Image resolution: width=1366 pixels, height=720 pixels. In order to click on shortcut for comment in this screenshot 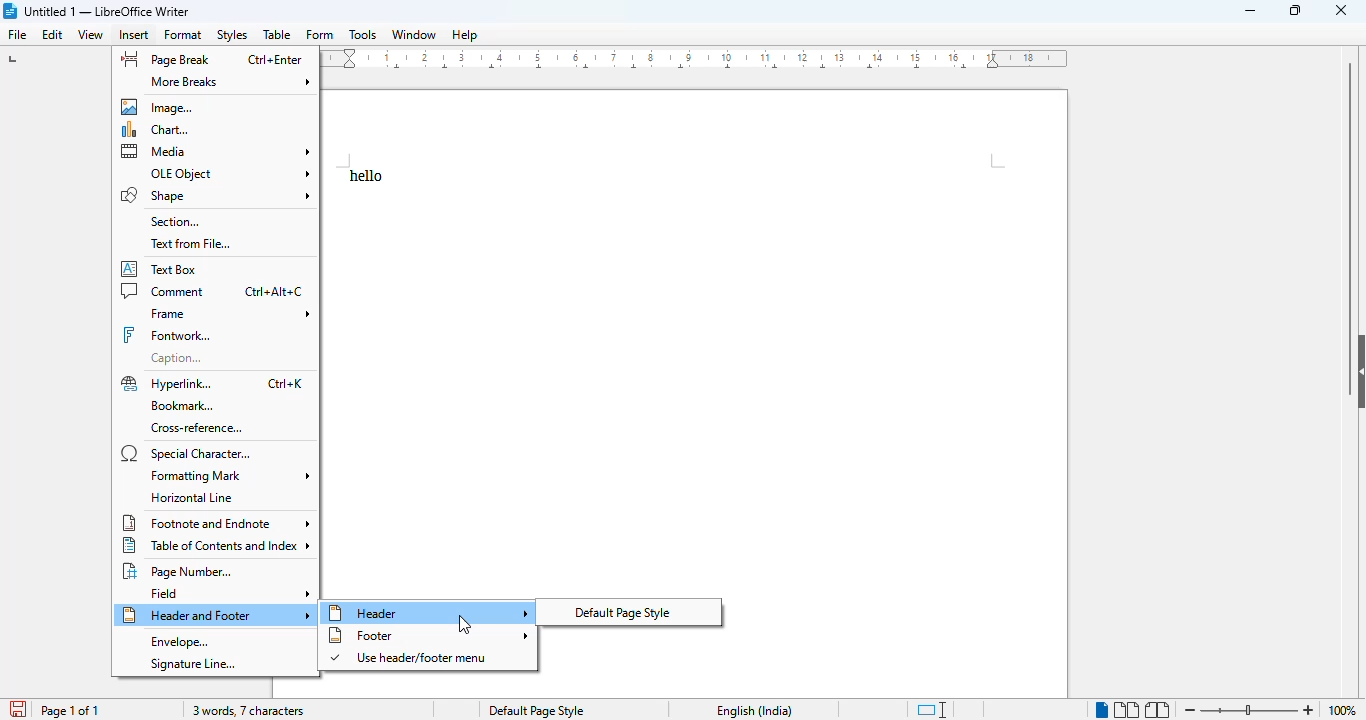, I will do `click(273, 292)`.